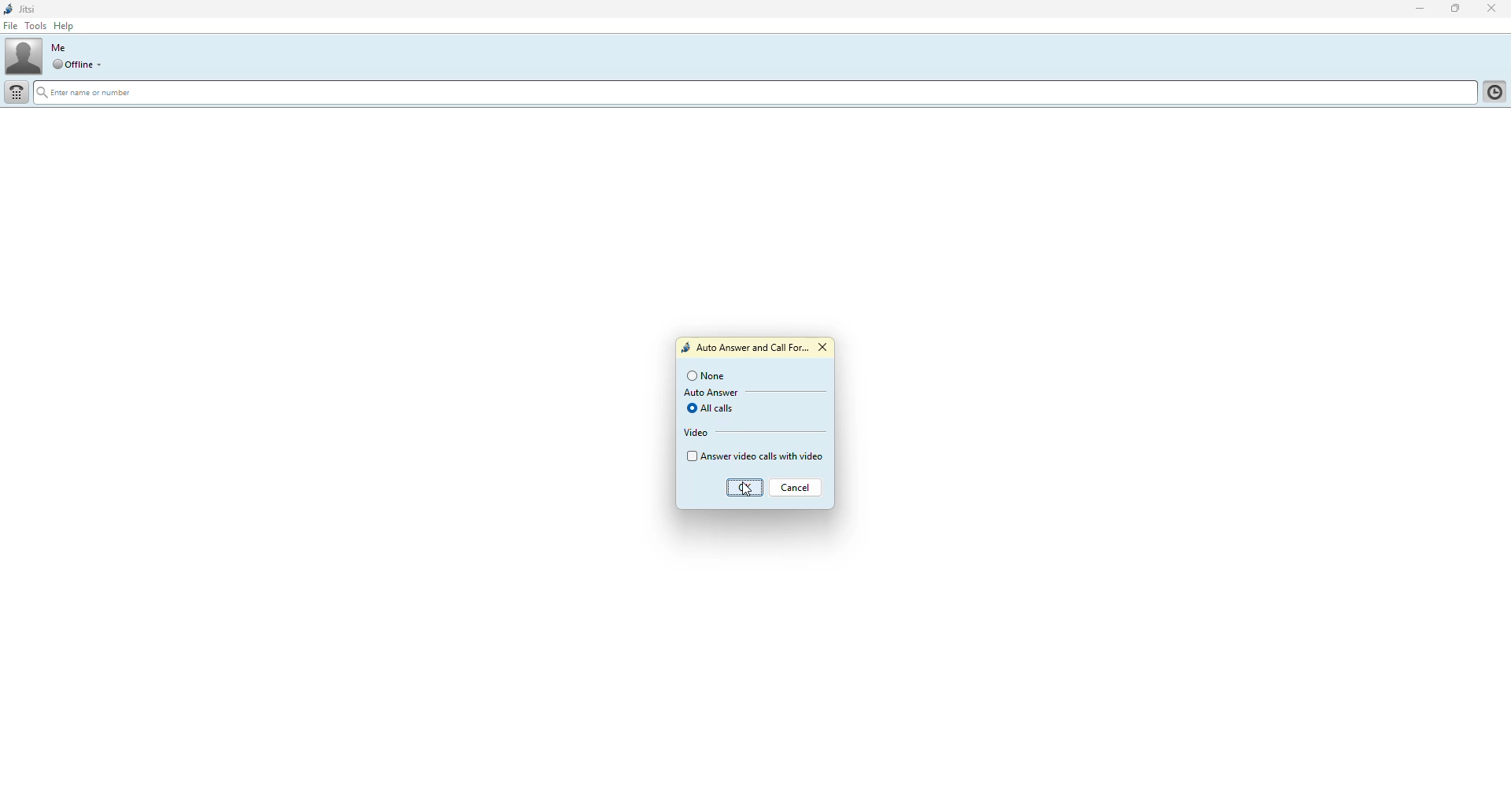  I want to click on cursor, so click(744, 487).